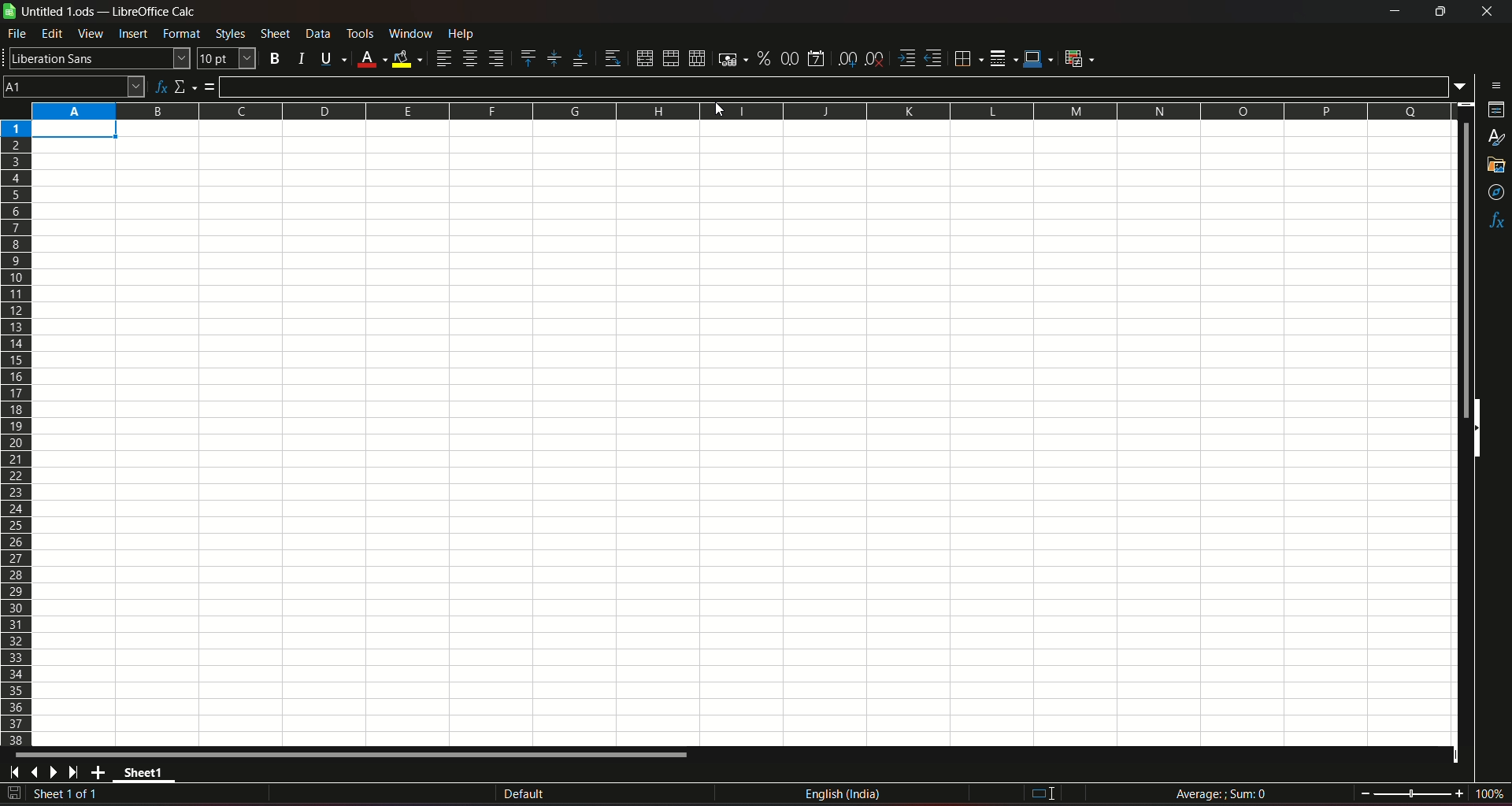  I want to click on format as date, so click(818, 57).